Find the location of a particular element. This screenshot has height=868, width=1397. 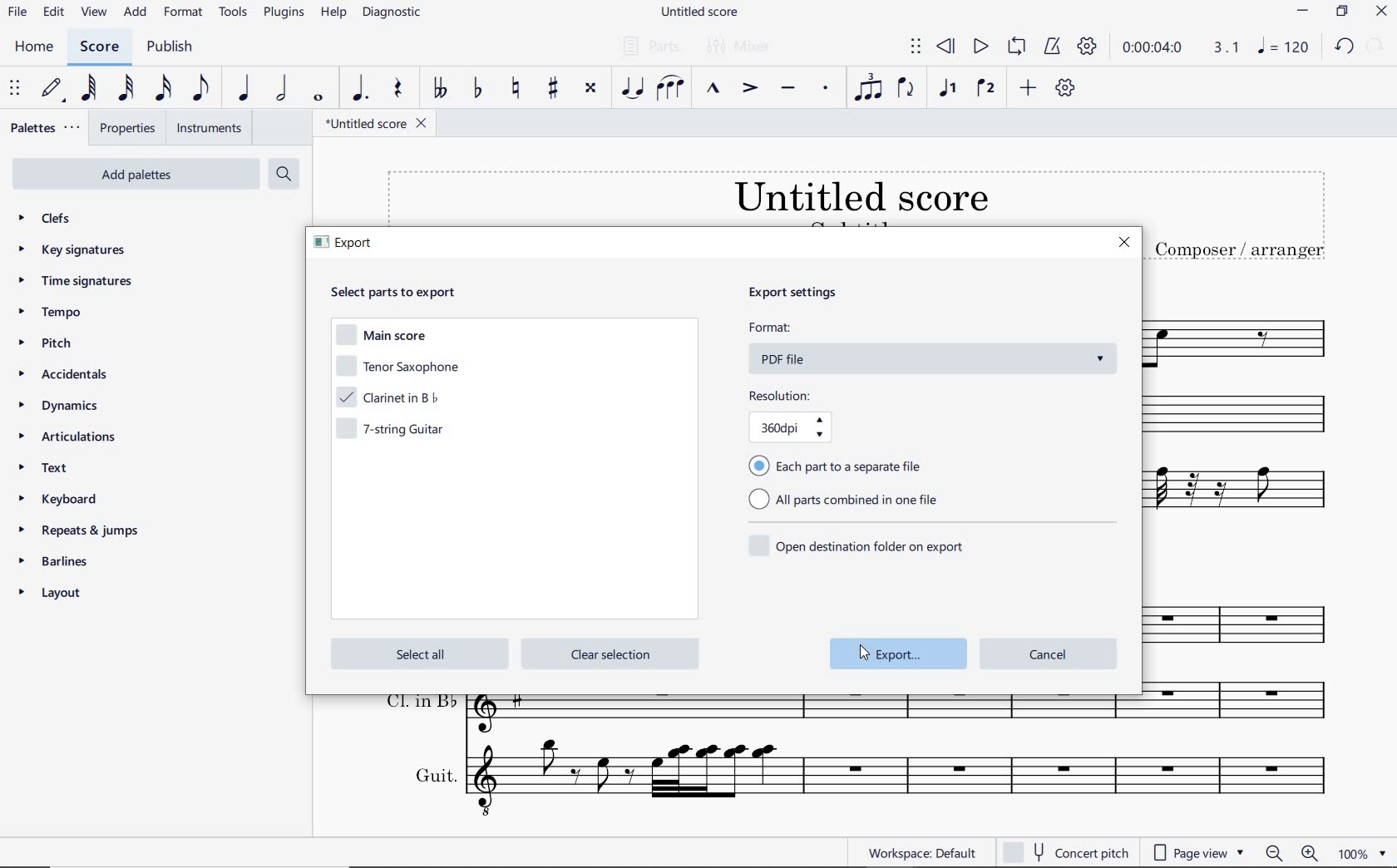

TEXT is located at coordinates (53, 470).